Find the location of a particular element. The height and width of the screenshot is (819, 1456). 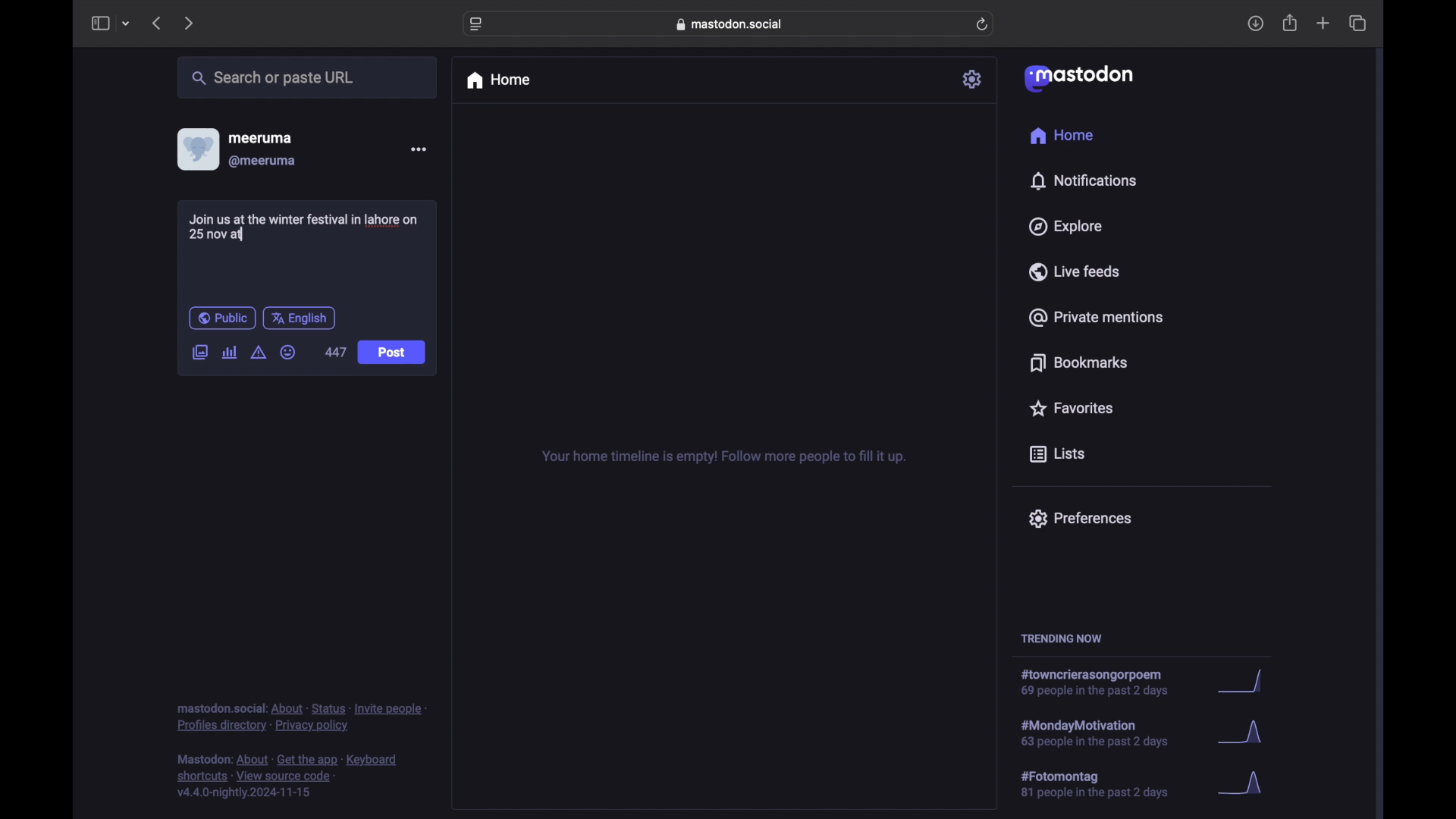

refresh is located at coordinates (984, 25).